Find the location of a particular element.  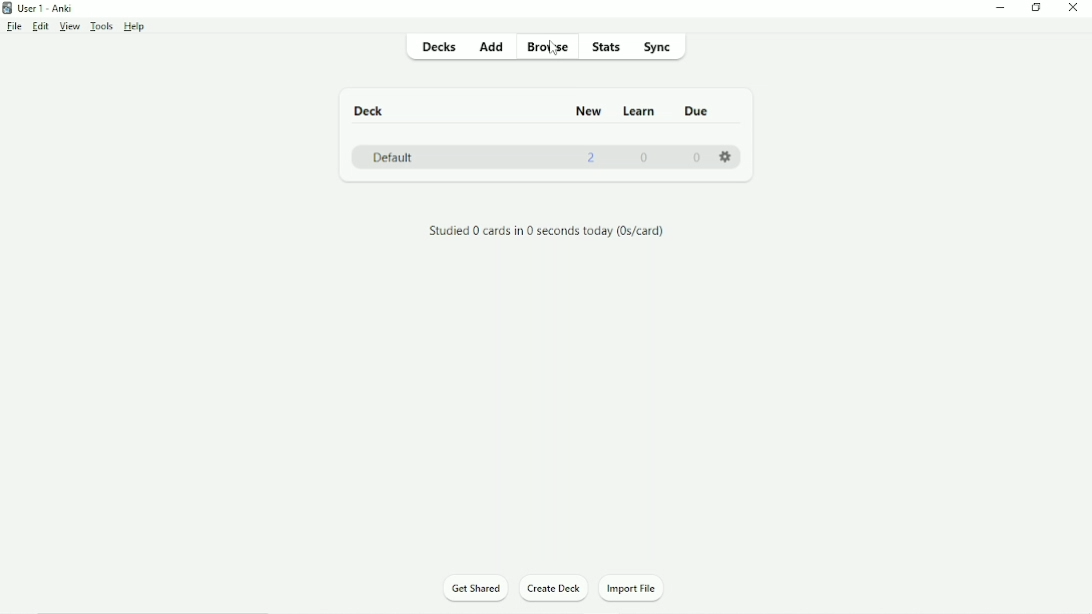

Restore down is located at coordinates (1036, 8).